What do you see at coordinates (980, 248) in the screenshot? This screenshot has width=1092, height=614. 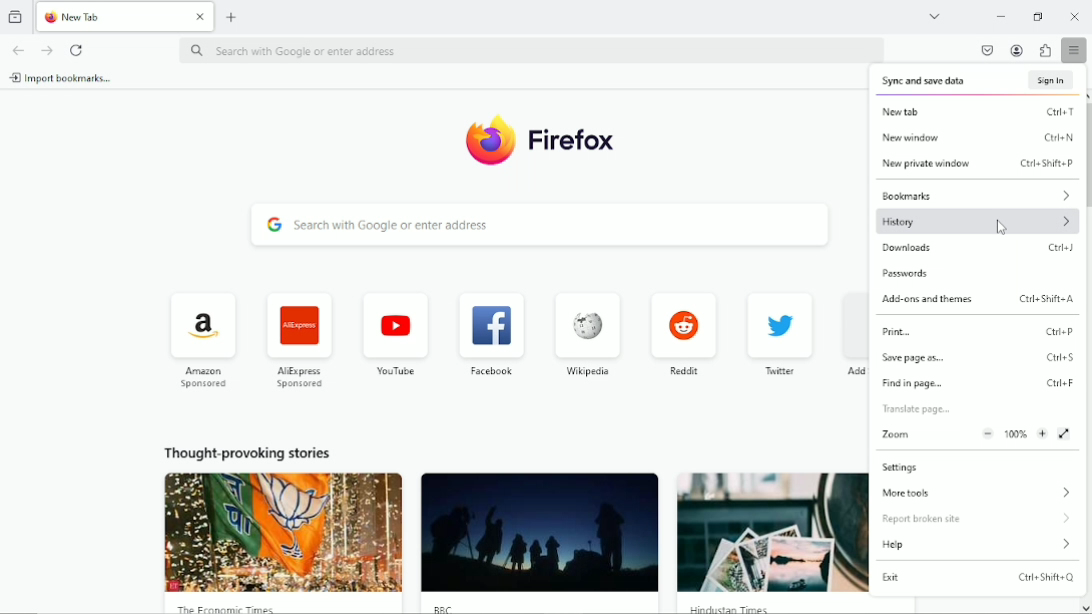 I see `downloads Ctrl+J` at bounding box center [980, 248].